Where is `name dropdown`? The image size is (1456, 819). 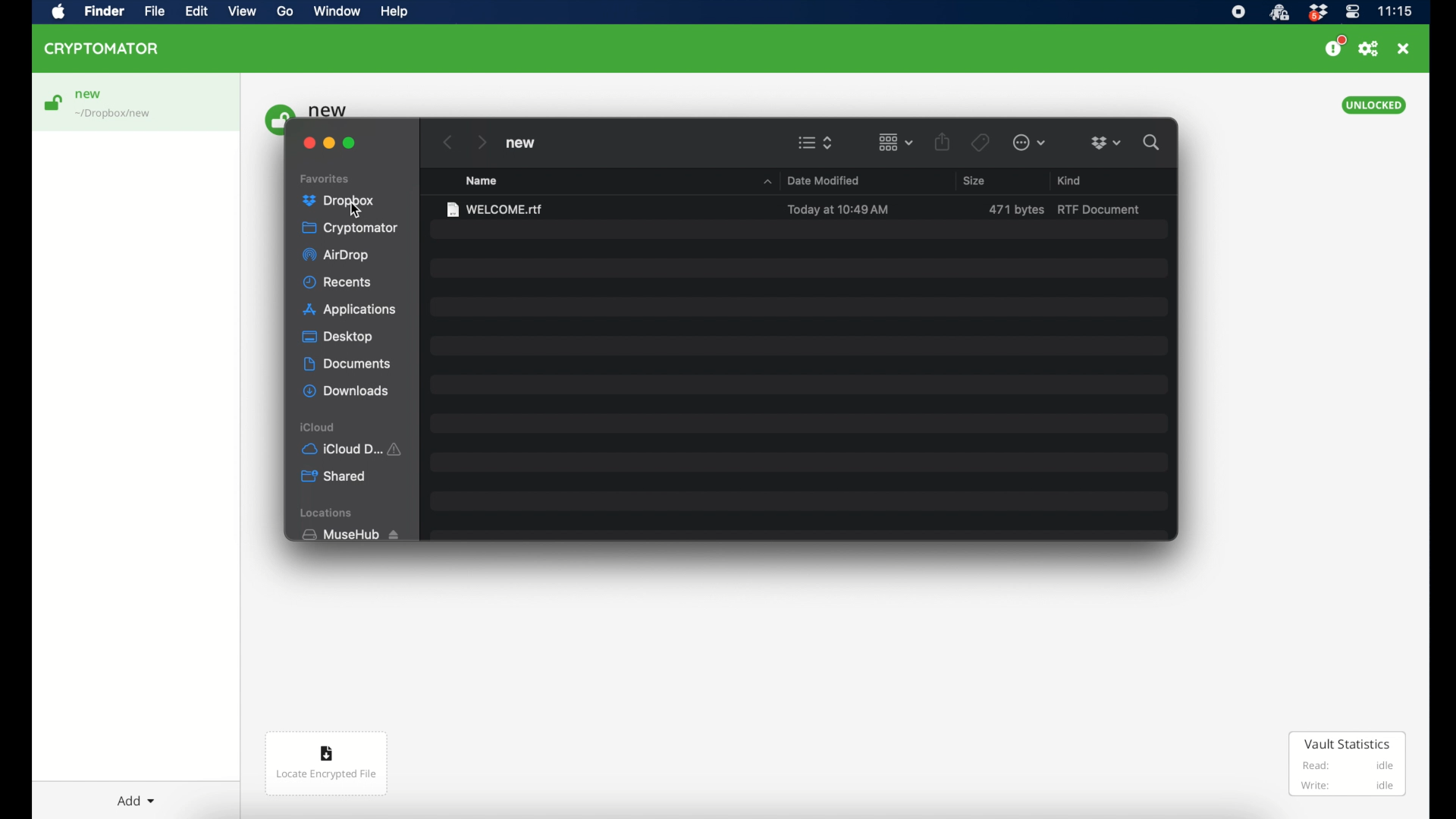 name dropdown is located at coordinates (767, 182).